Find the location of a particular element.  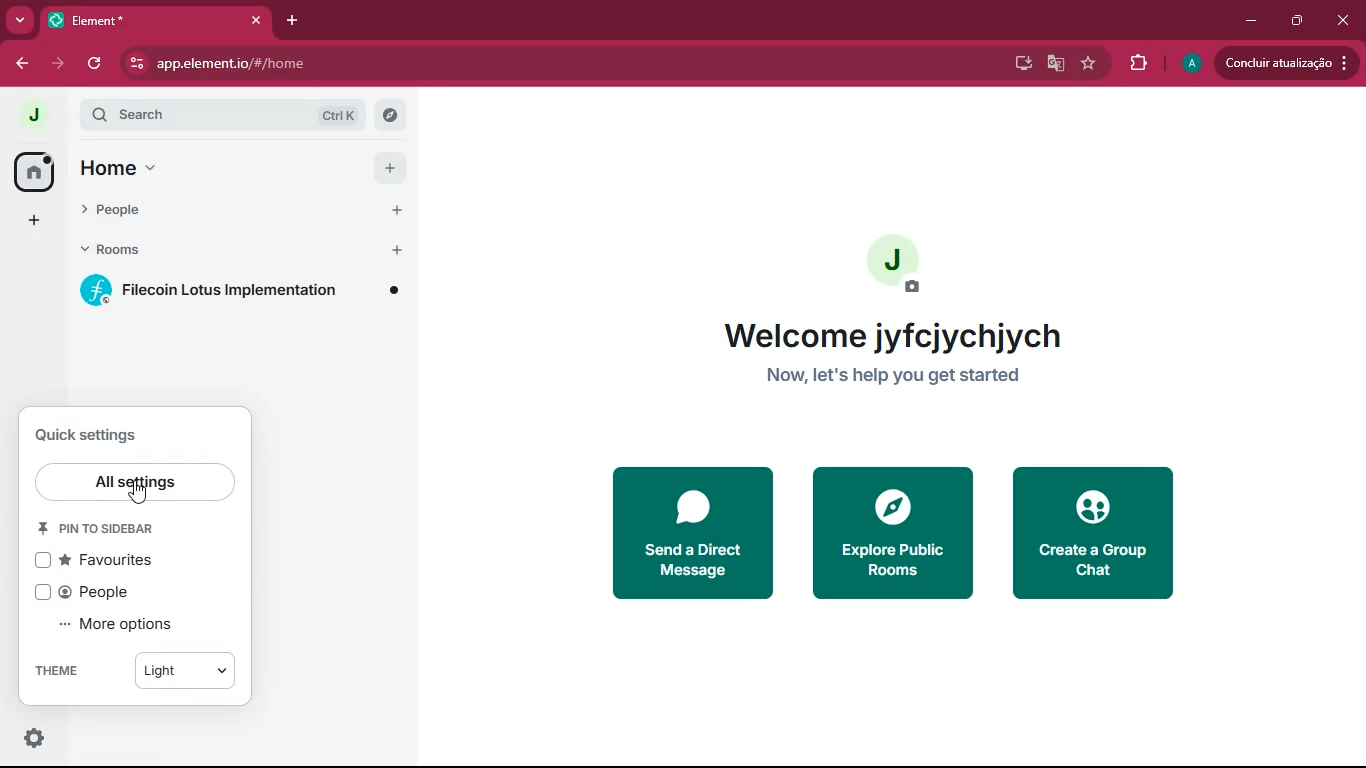

now, let's help you get started is located at coordinates (889, 377).